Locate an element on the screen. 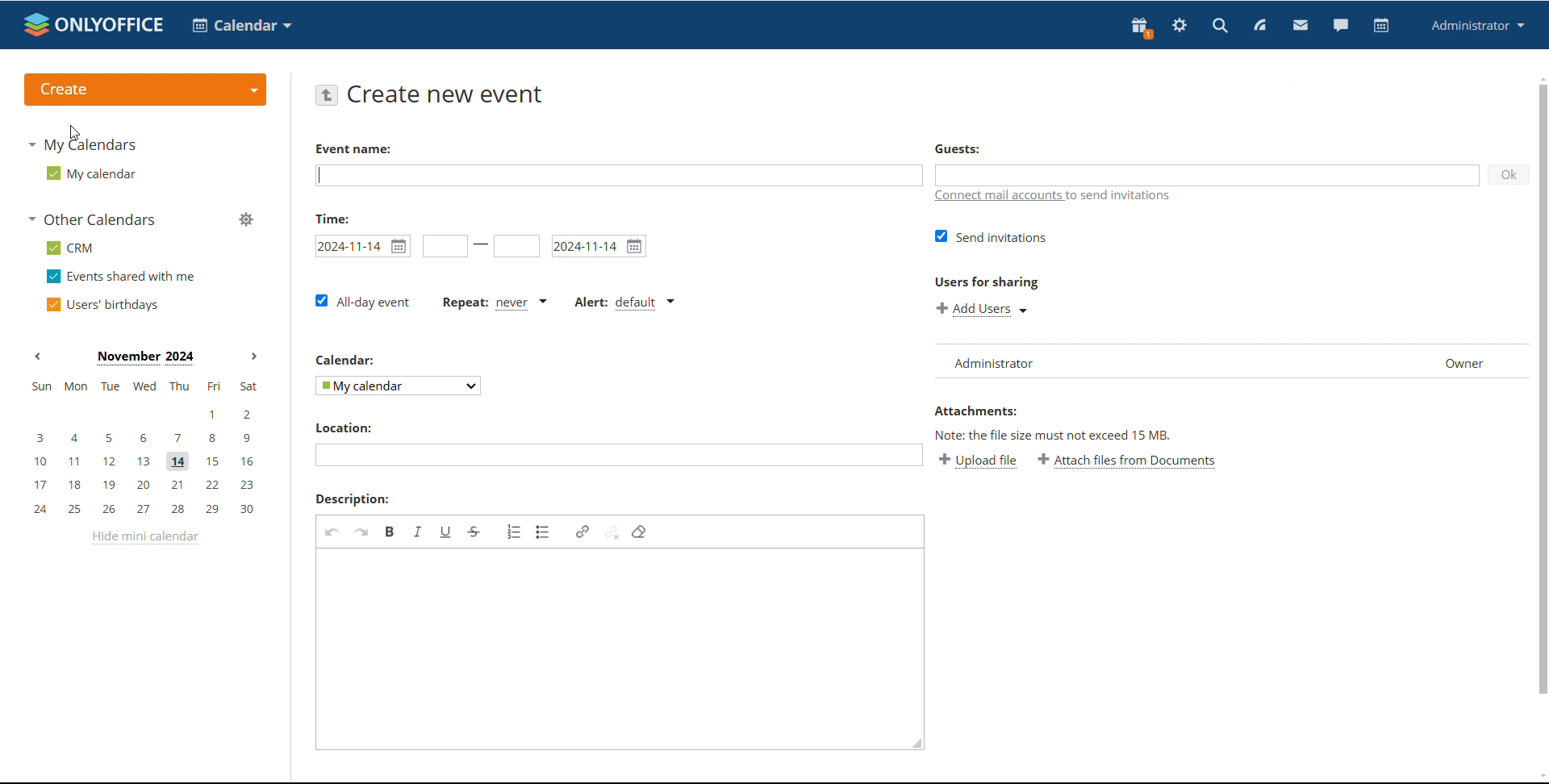 This screenshot has height=784, width=1549. guests is located at coordinates (957, 148).